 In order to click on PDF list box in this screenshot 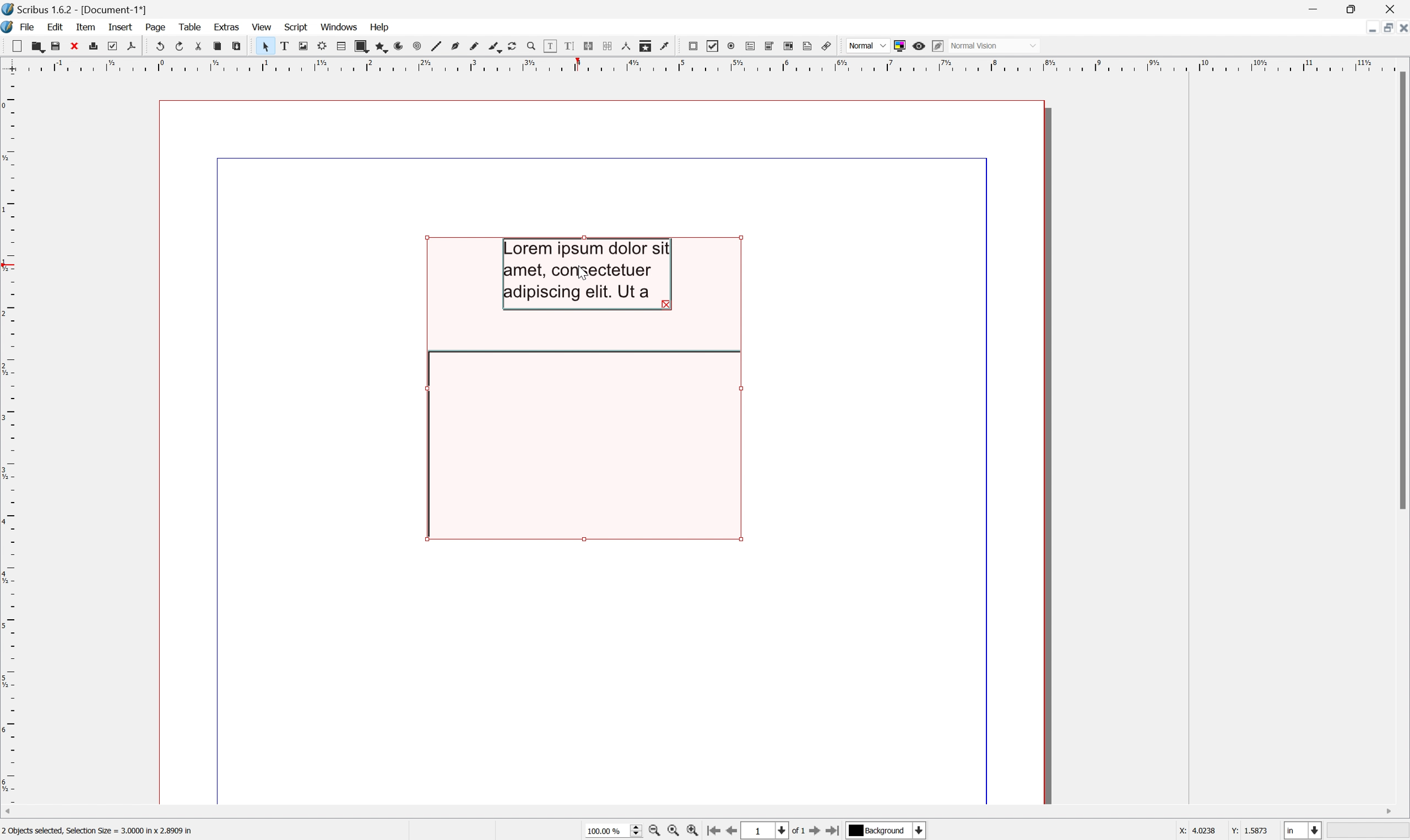, I will do `click(789, 46)`.